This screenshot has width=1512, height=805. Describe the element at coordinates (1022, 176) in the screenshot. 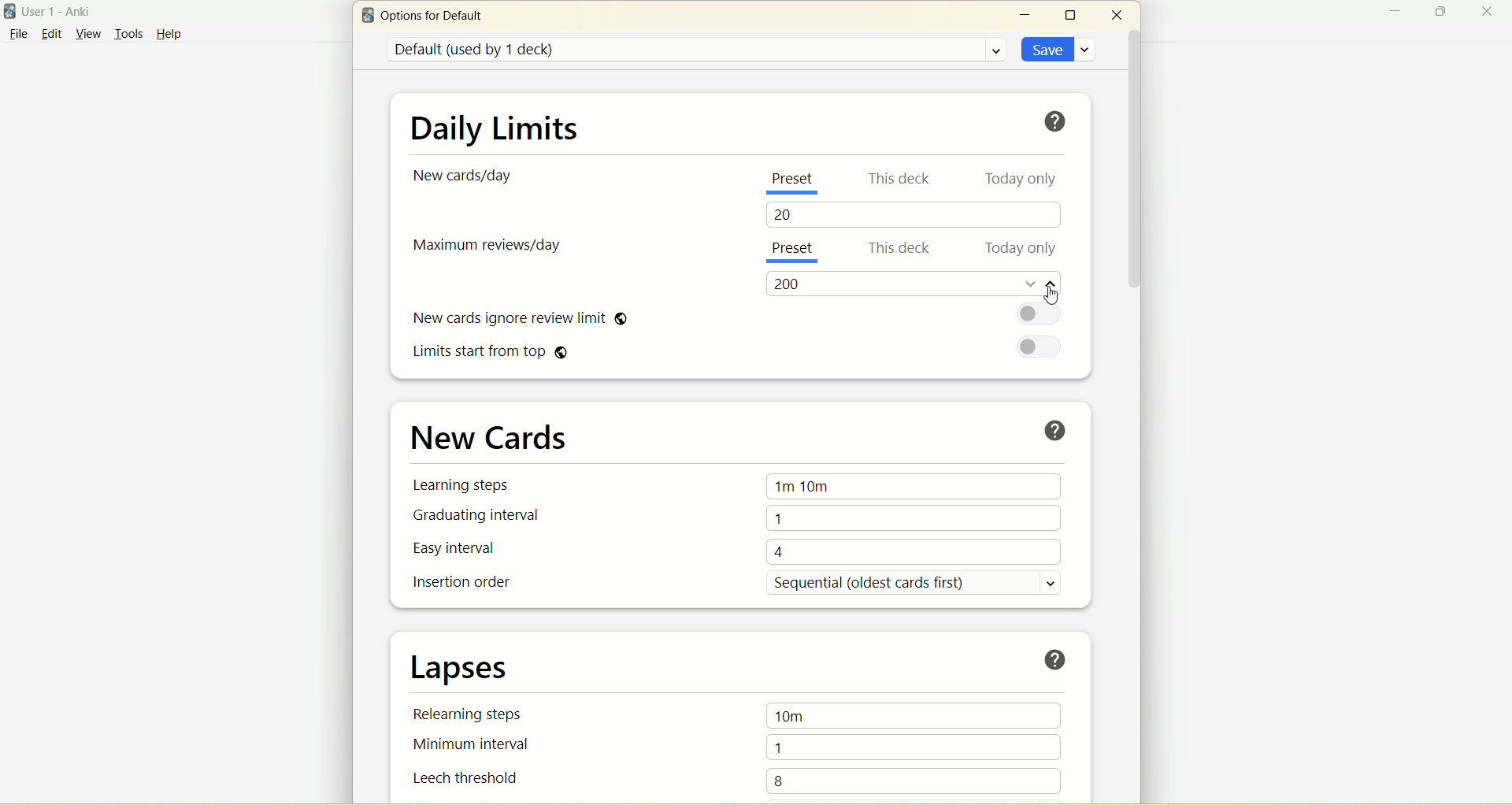

I see `today only` at that location.